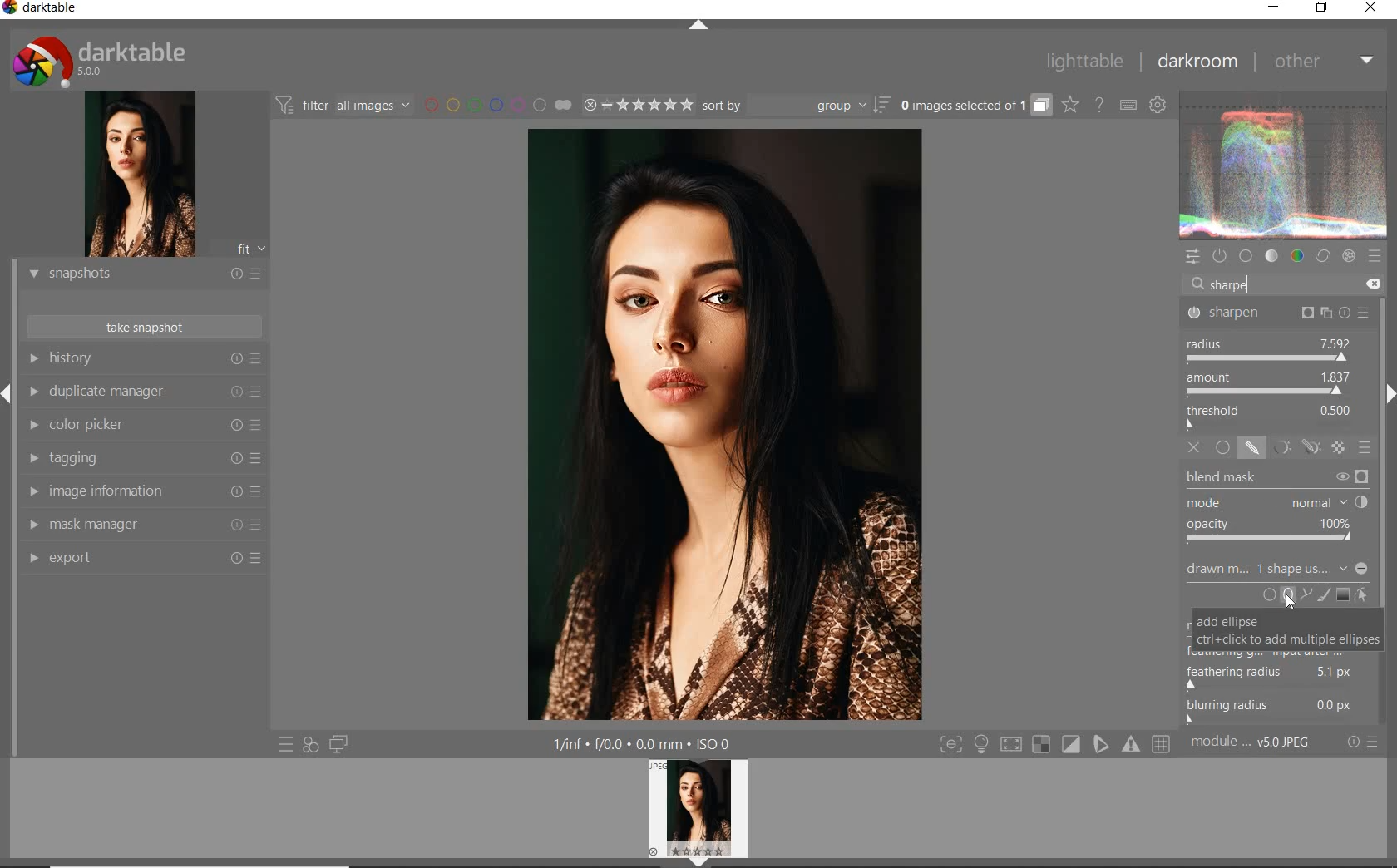 This screenshot has width=1397, height=868. Describe the element at coordinates (1348, 257) in the screenshot. I see `effect` at that location.